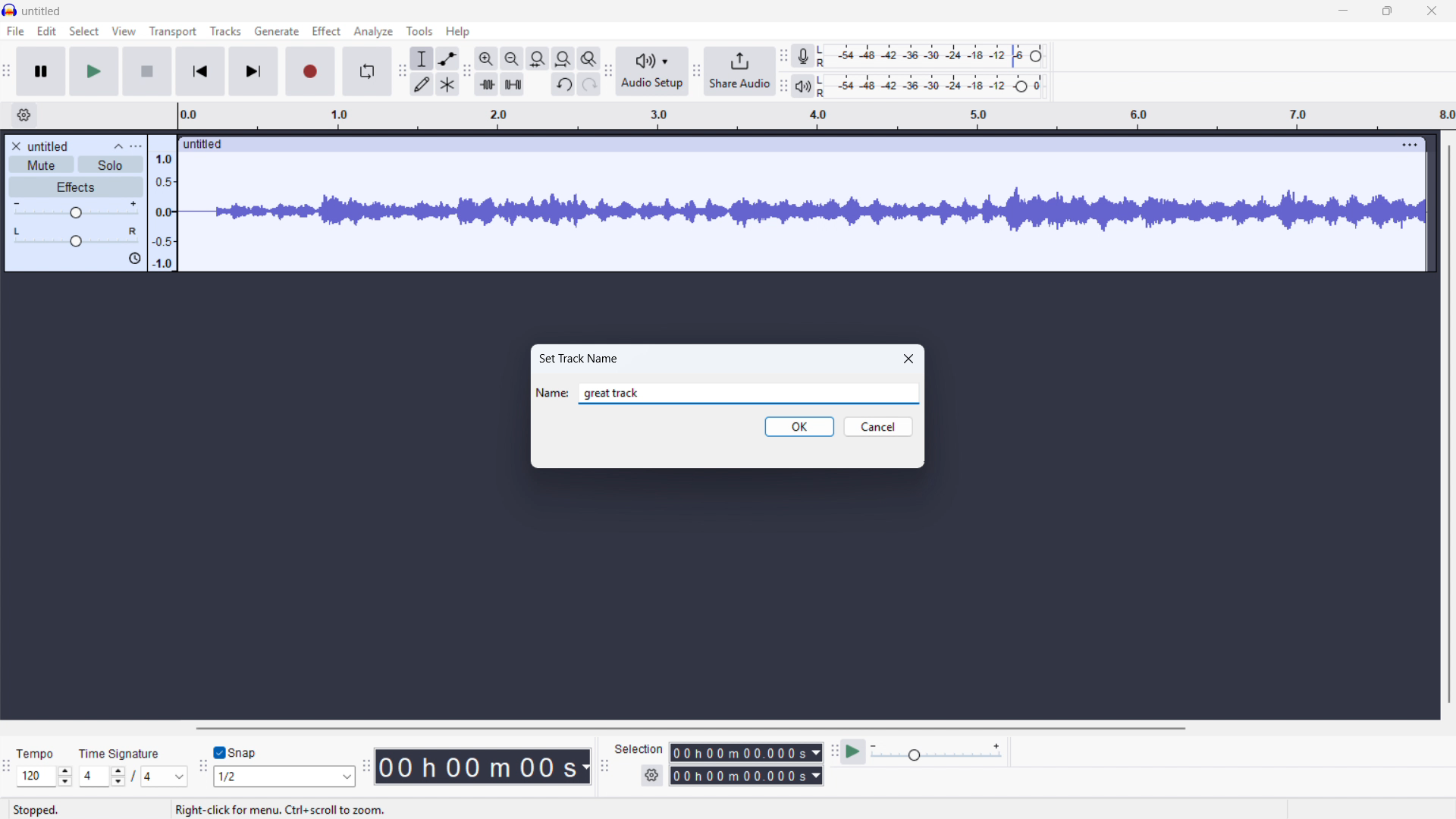  Describe the element at coordinates (589, 85) in the screenshot. I see `Redo` at that location.